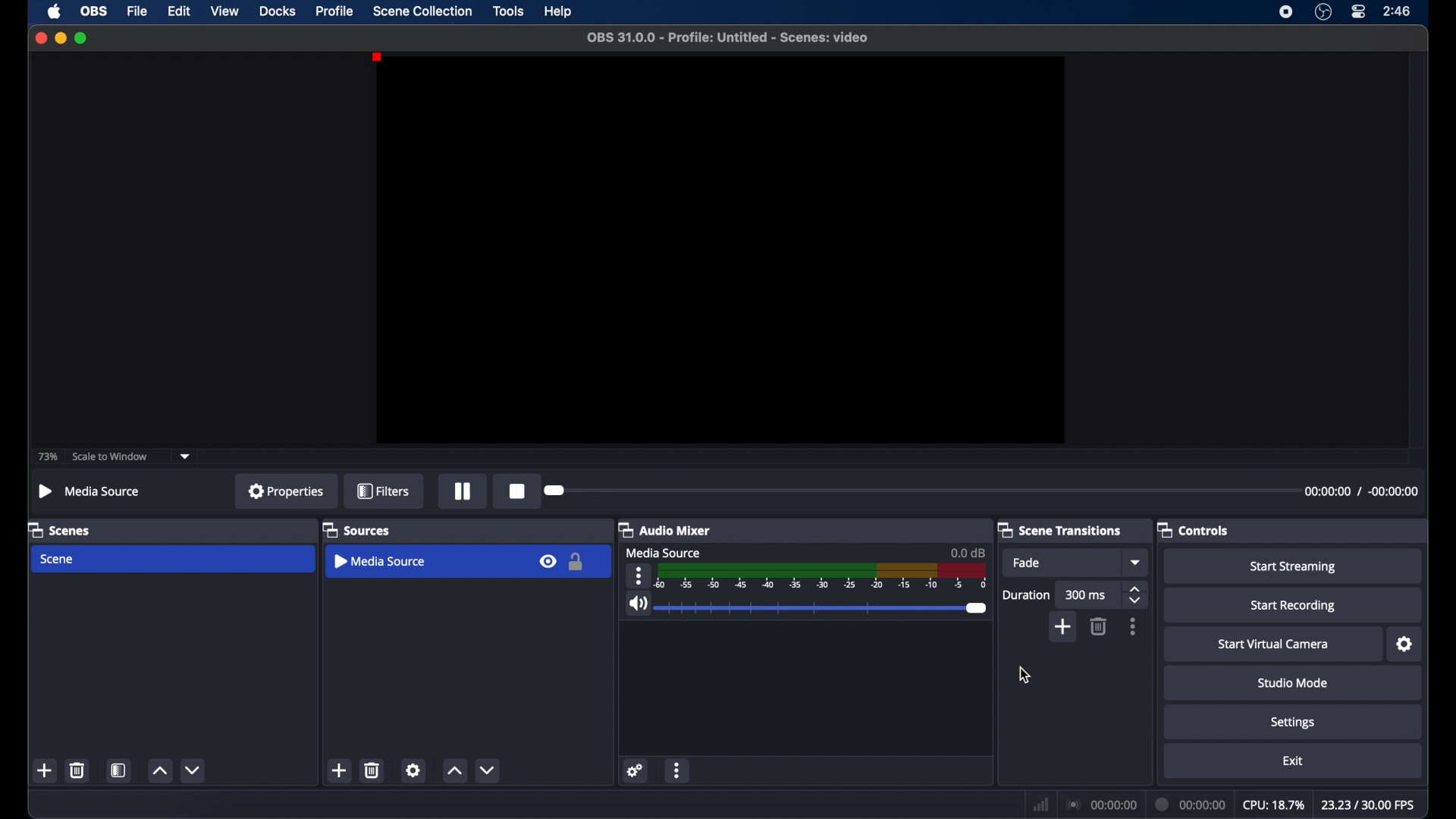 The image size is (1456, 819). I want to click on add, so click(45, 770).